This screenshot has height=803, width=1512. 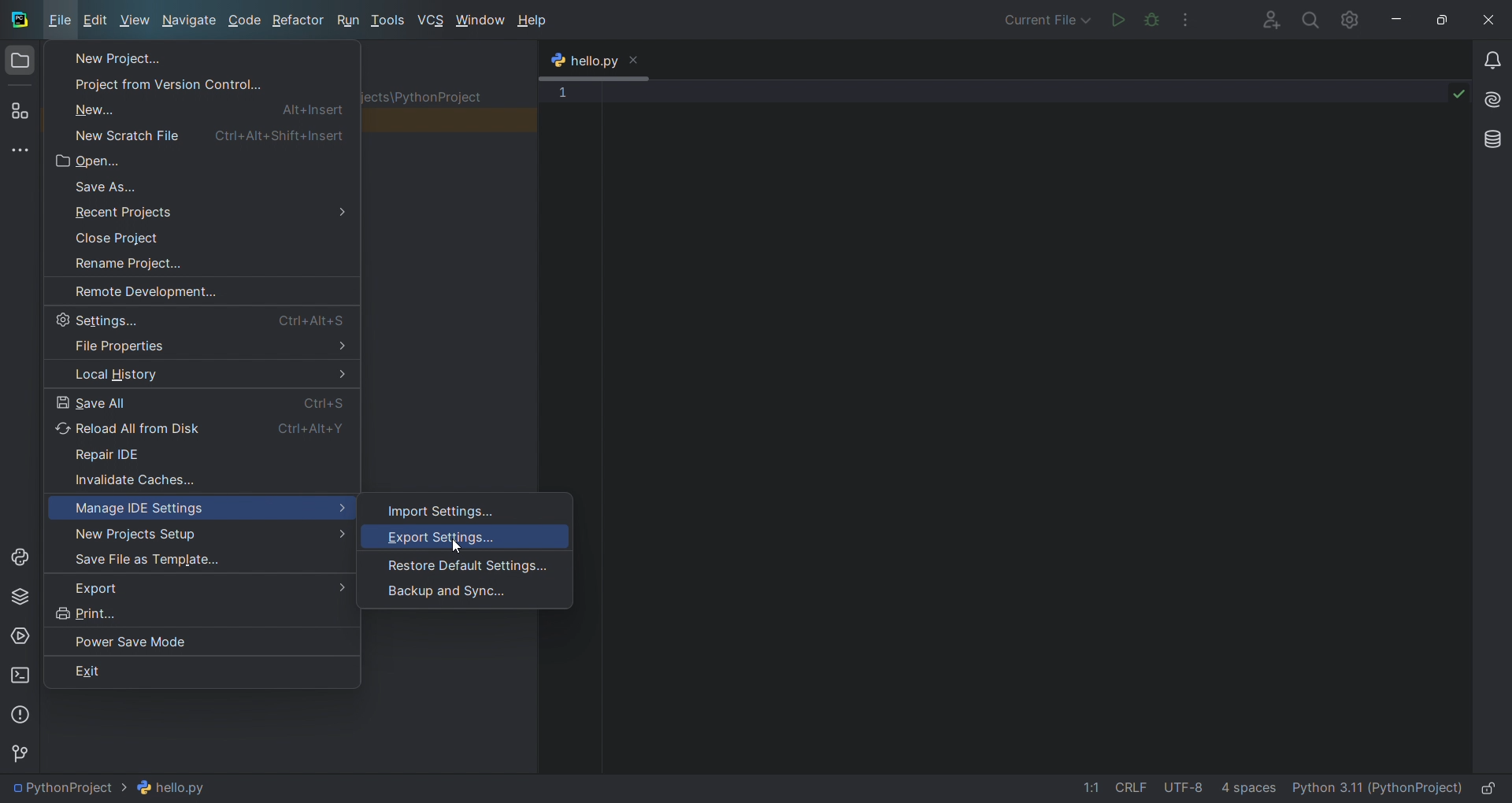 I want to click on close, so click(x=635, y=58).